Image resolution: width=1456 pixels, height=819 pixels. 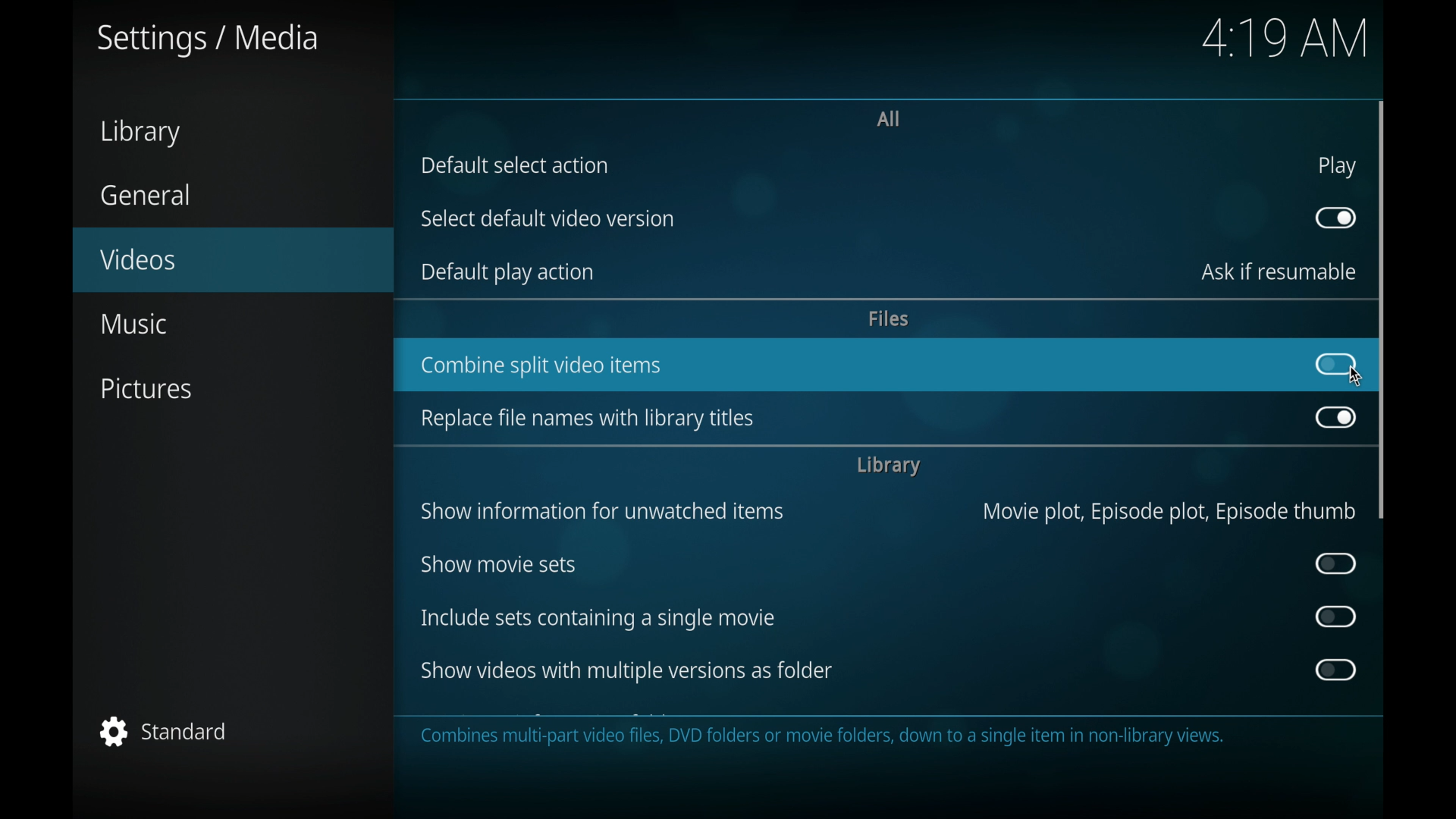 I want to click on default select action, so click(x=514, y=165).